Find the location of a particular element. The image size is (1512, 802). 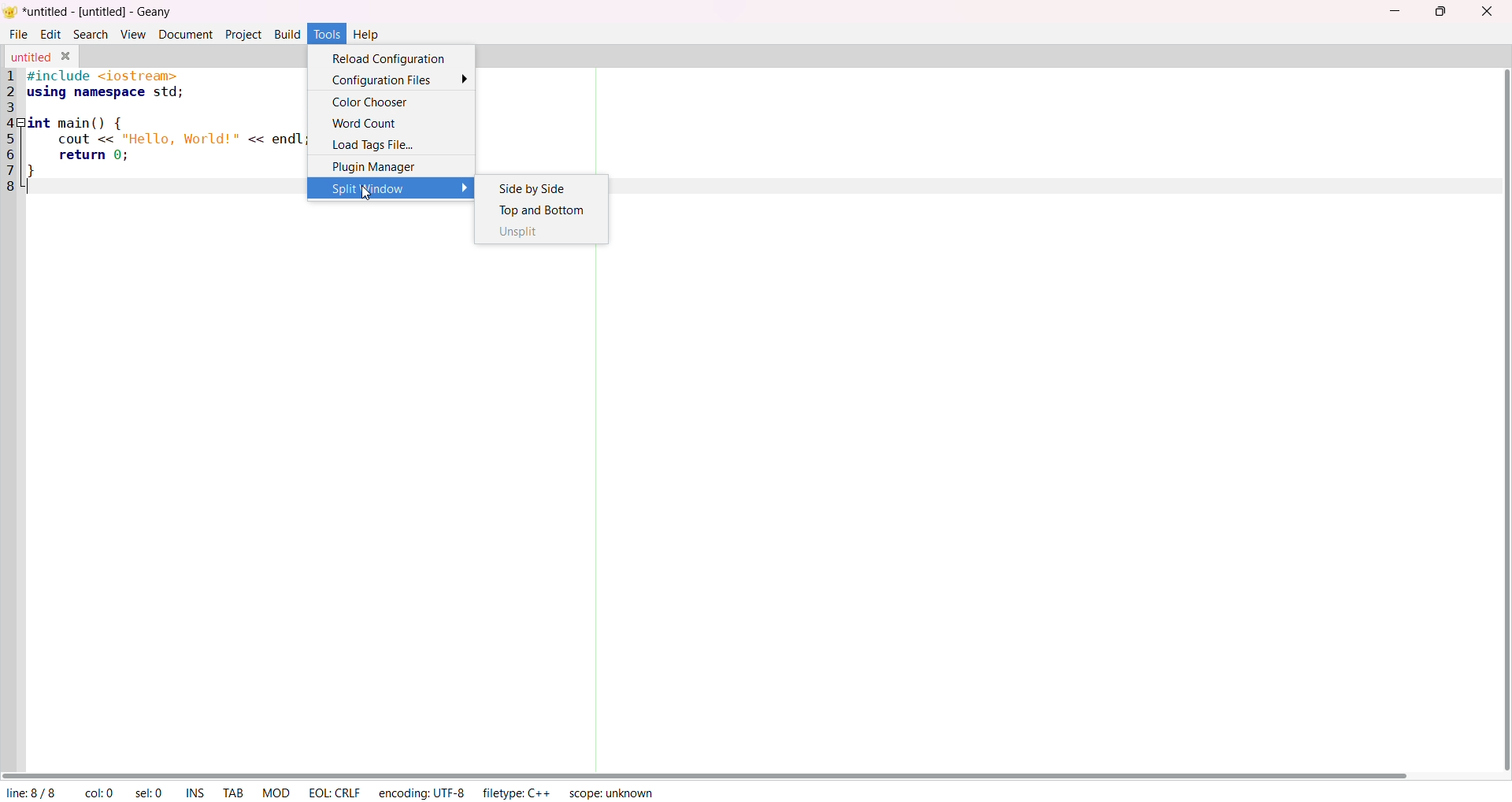

line: 8/8 is located at coordinates (32, 793).